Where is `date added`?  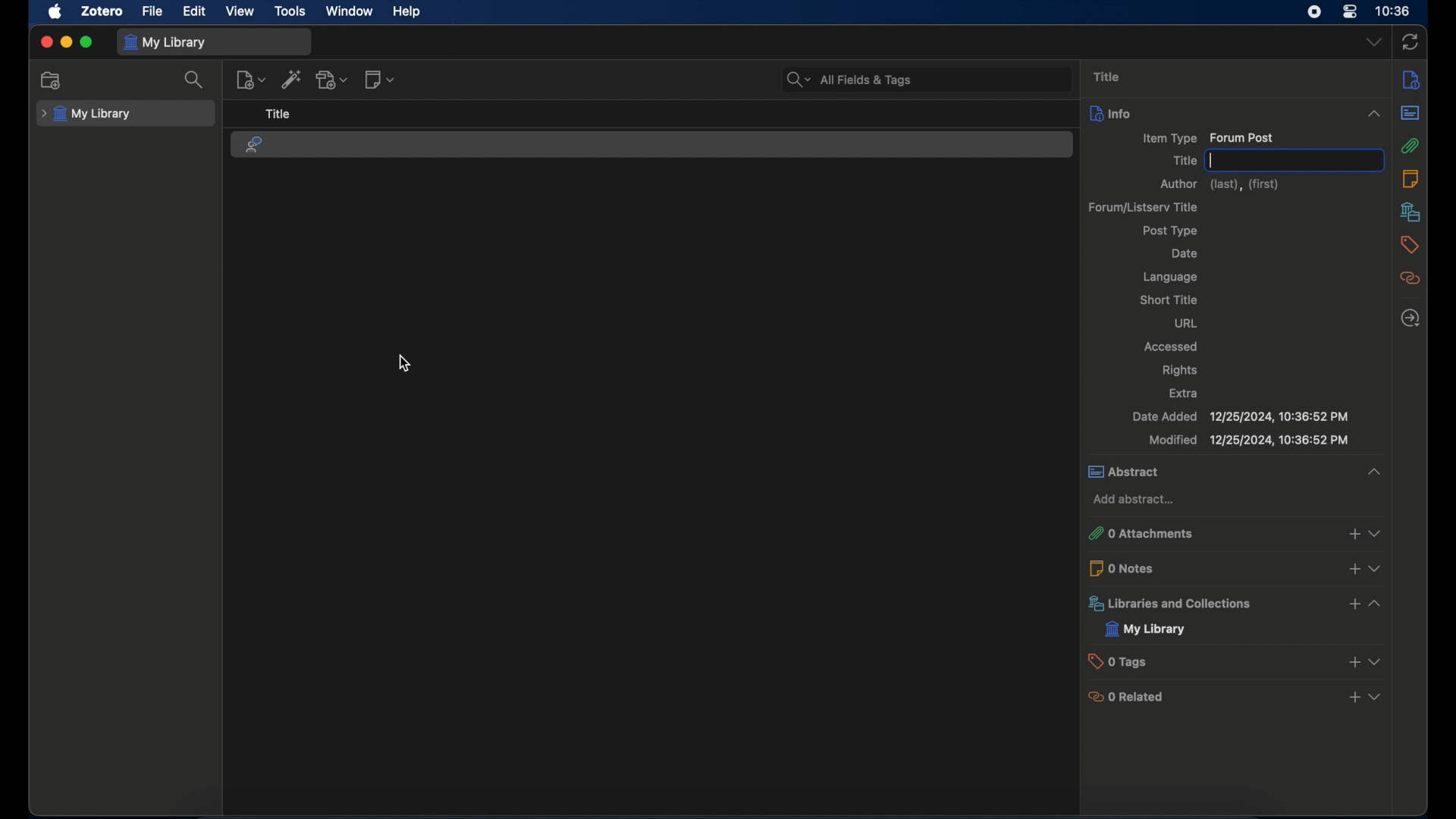 date added is located at coordinates (1241, 416).